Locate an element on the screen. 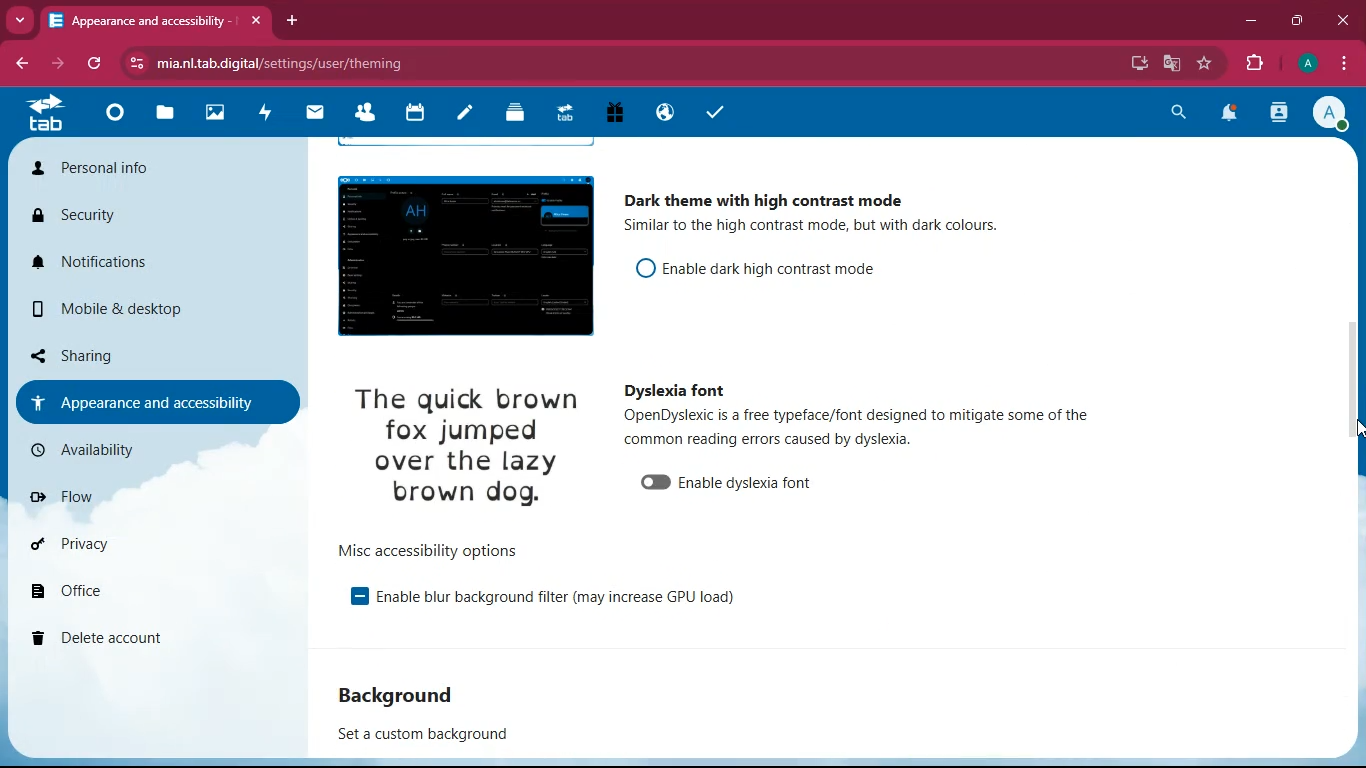 This screenshot has height=768, width=1366. activity is located at coordinates (271, 110).